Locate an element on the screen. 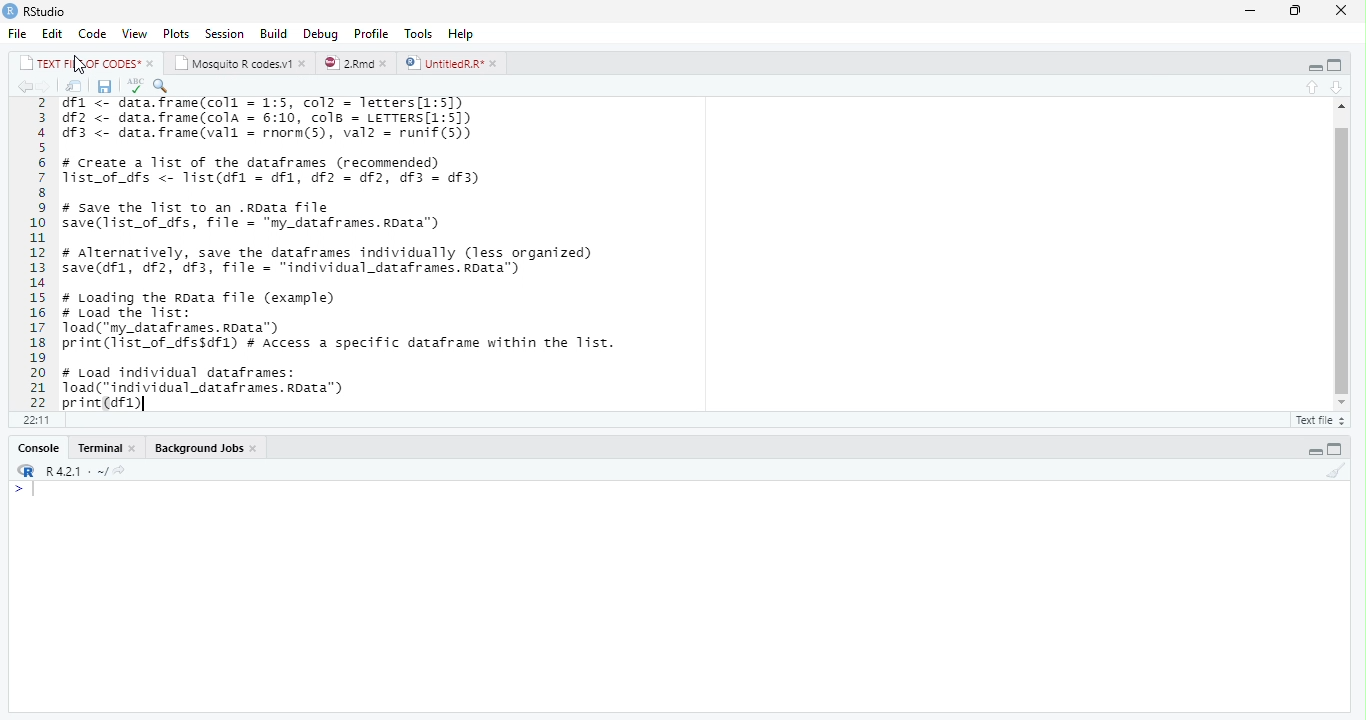  Profile is located at coordinates (372, 33).